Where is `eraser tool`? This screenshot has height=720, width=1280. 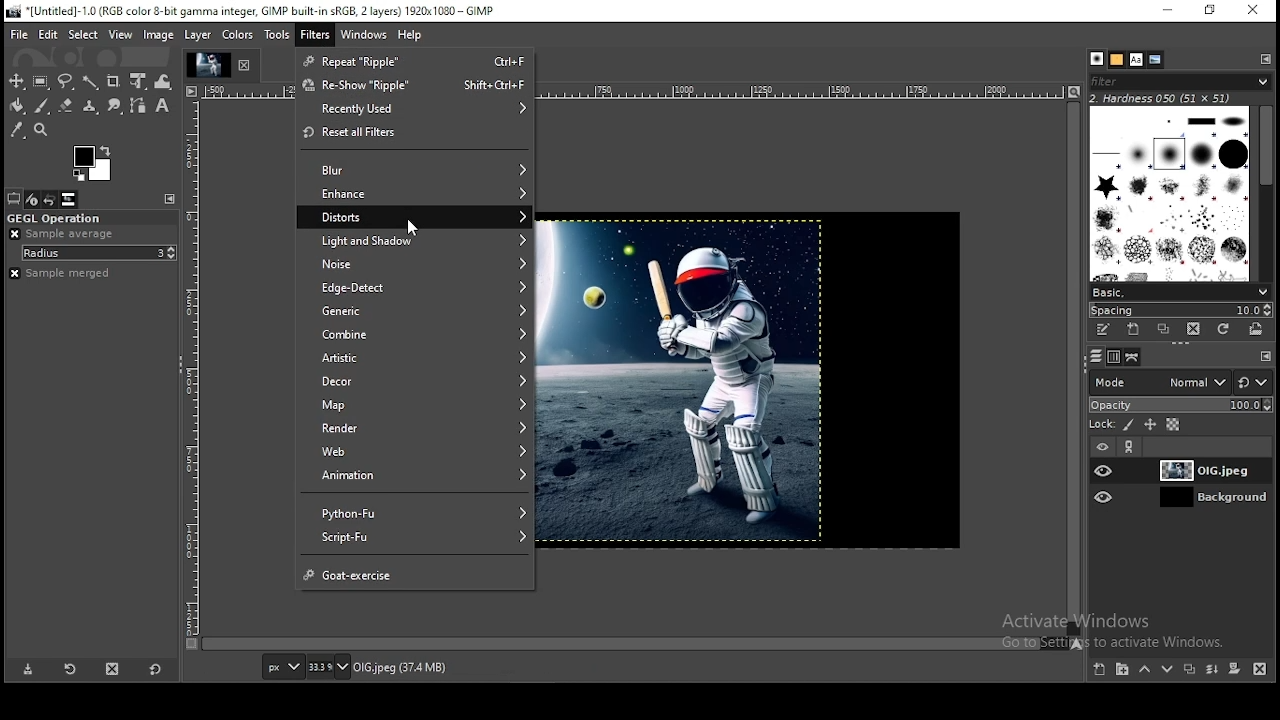 eraser tool is located at coordinates (68, 106).